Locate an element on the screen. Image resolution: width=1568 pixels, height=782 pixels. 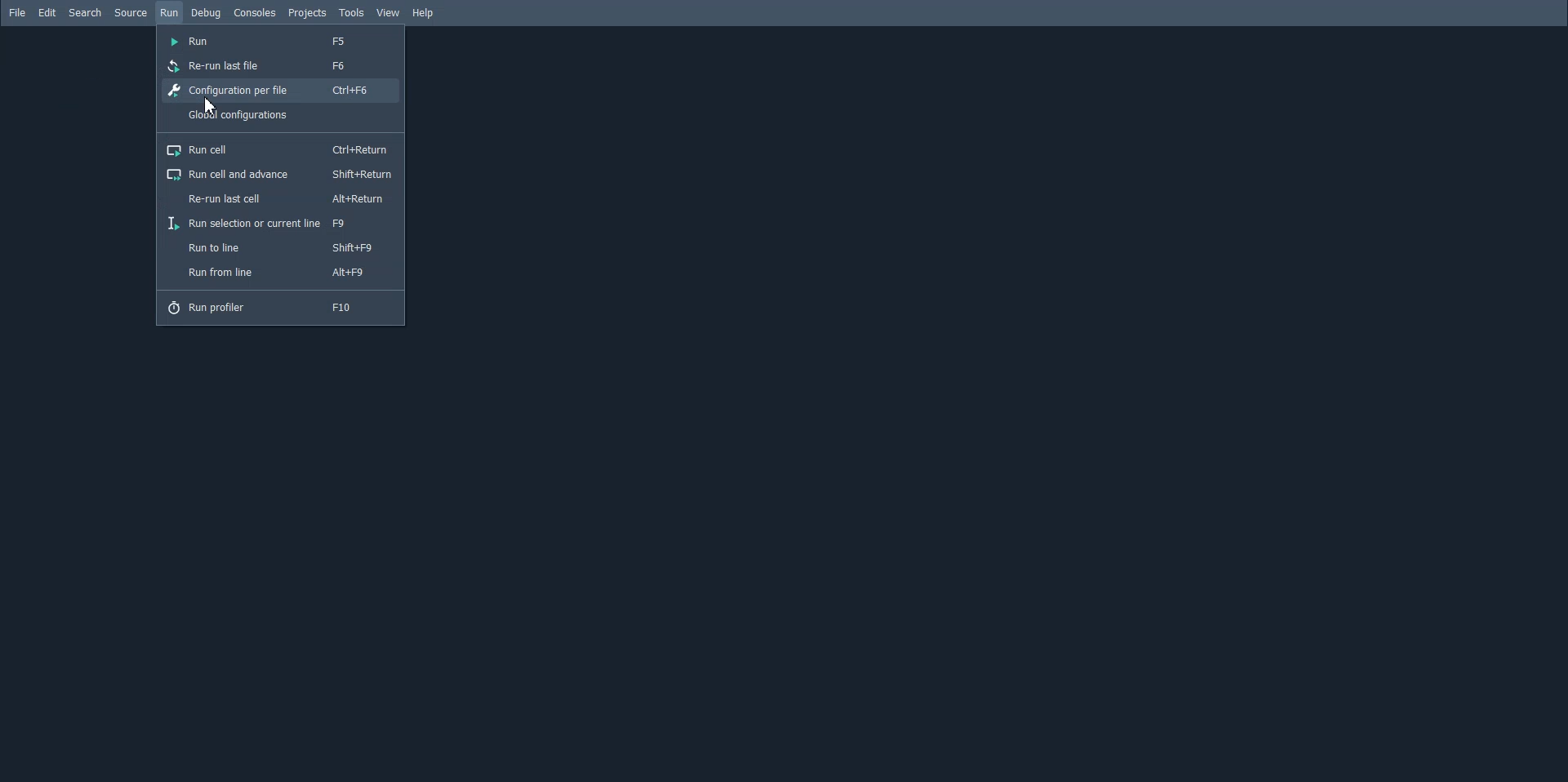
Tools is located at coordinates (353, 12).